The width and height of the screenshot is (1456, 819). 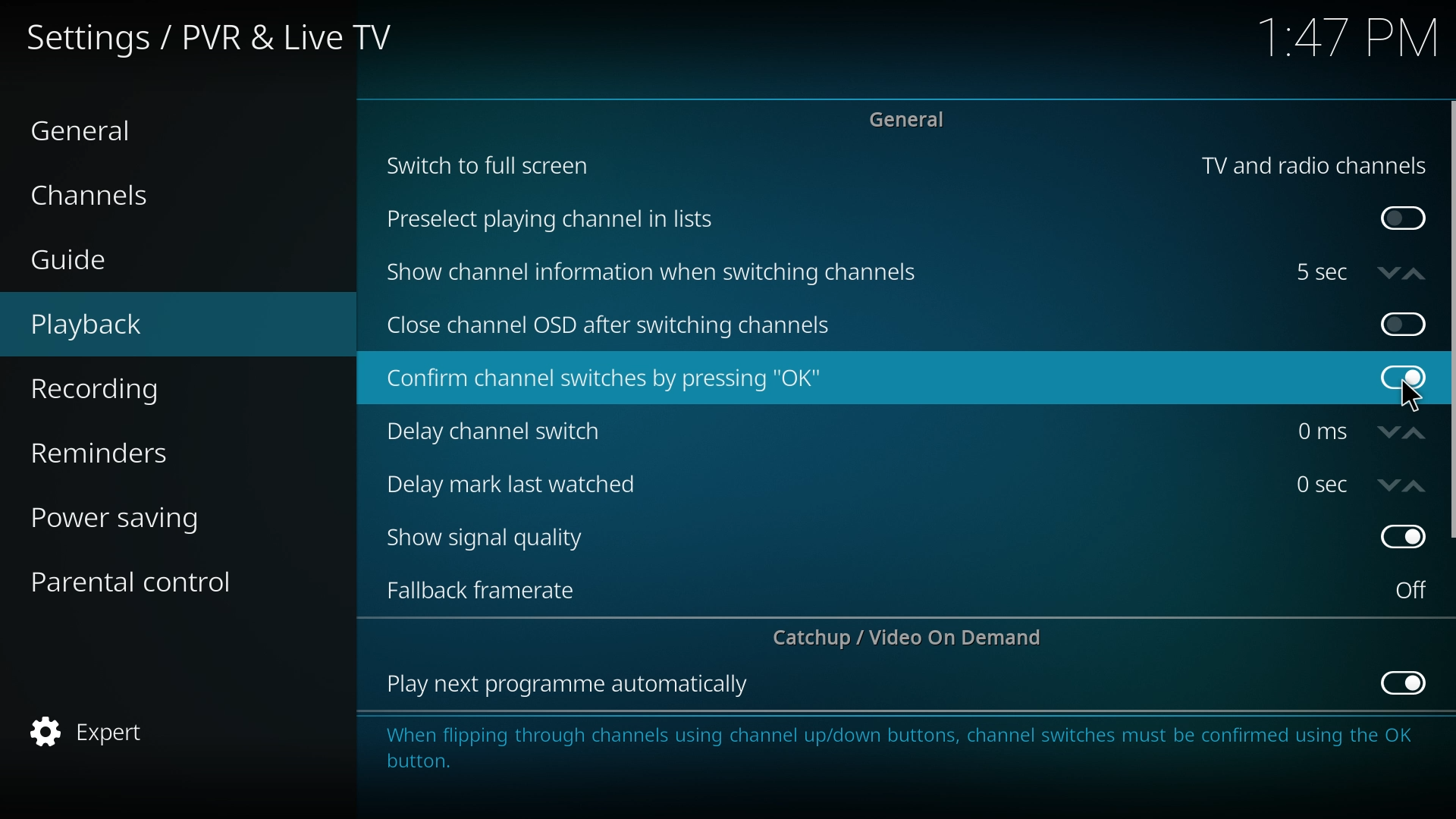 I want to click on recording, so click(x=137, y=390).